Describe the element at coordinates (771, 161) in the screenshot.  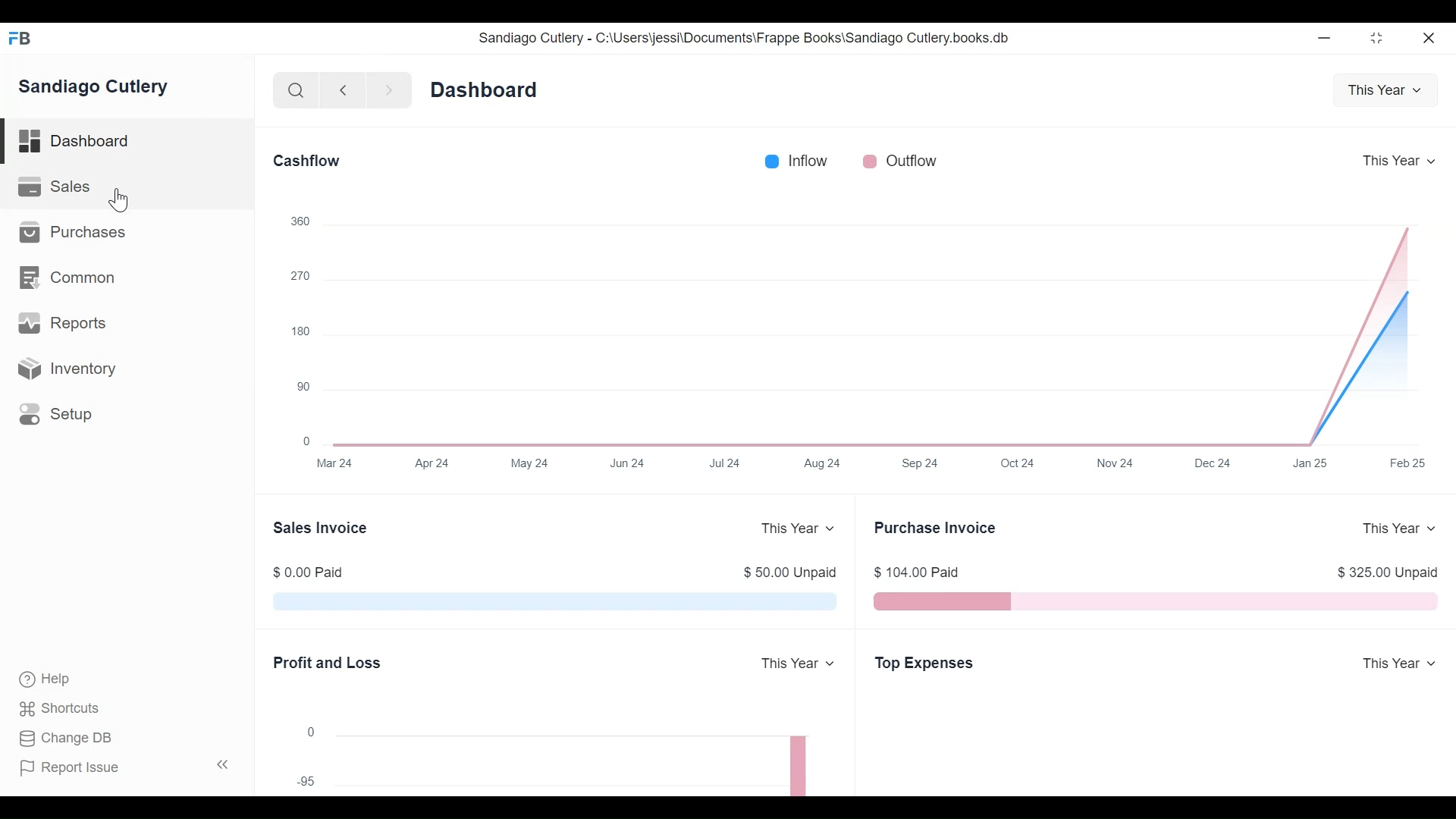
I see `Inflow color bar` at that location.